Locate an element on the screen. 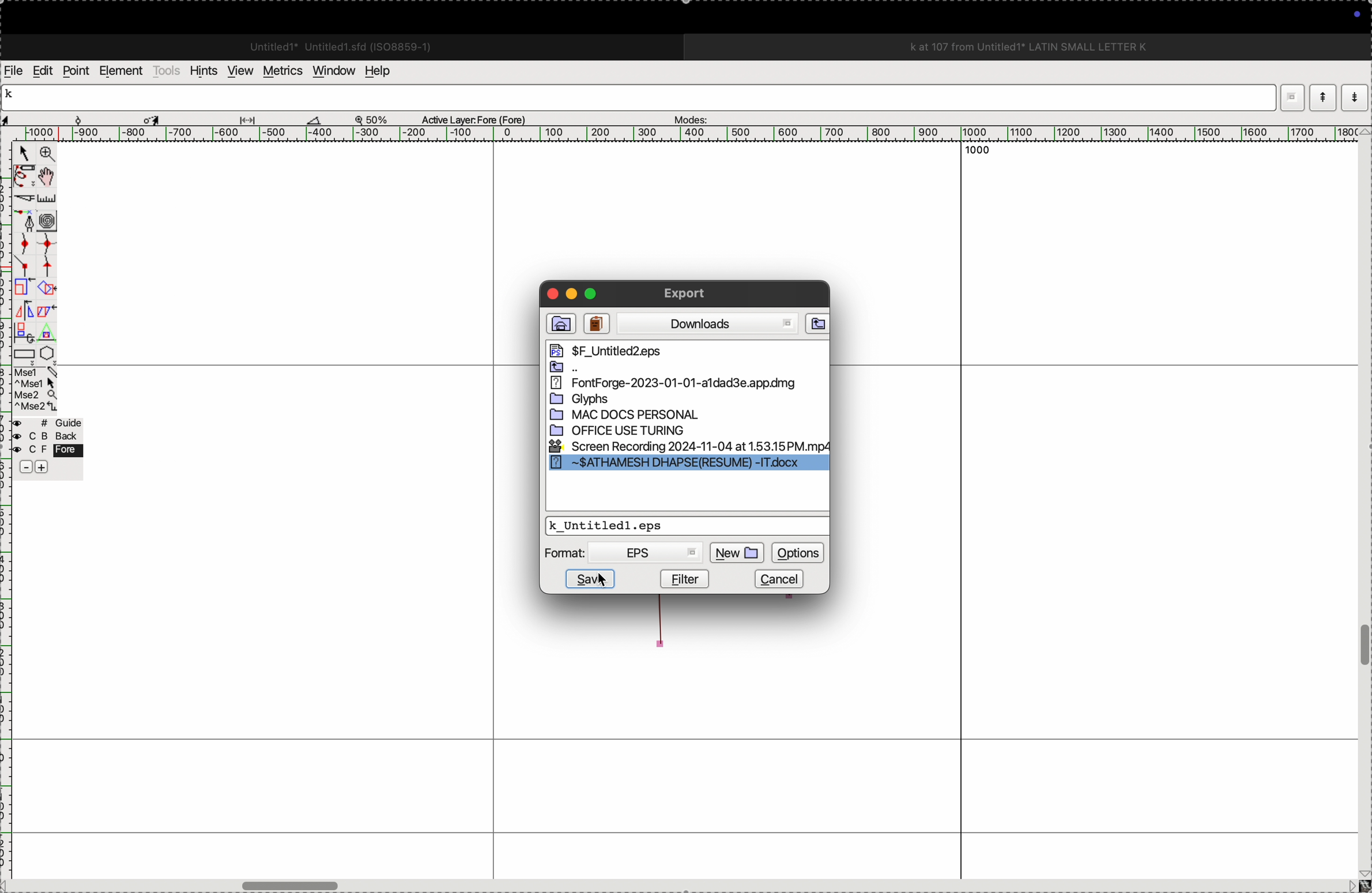 The width and height of the screenshot is (1372, 893). options is located at coordinates (798, 551).